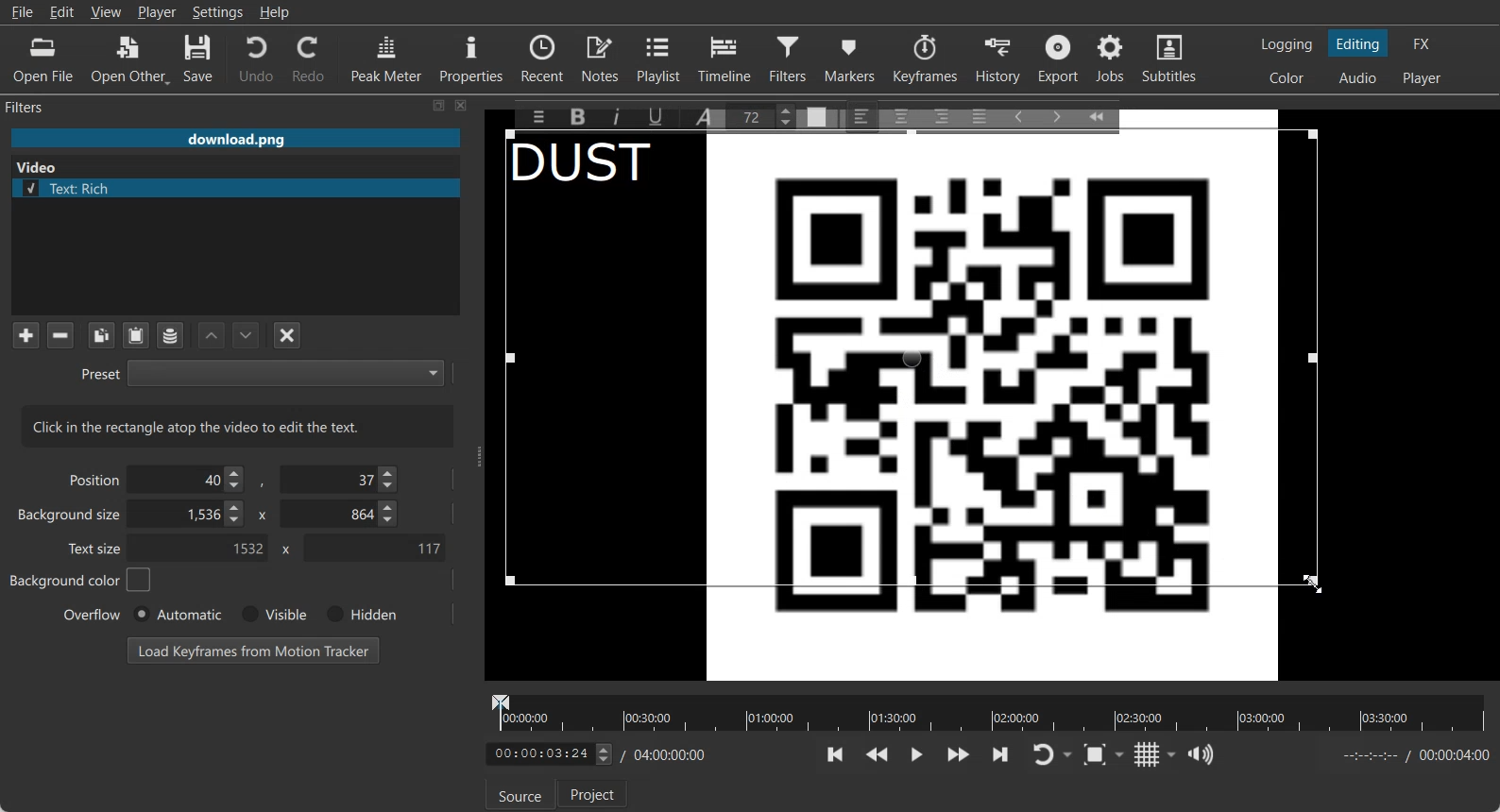 The height and width of the screenshot is (812, 1500). What do you see at coordinates (26, 334) in the screenshot?
I see `Add a filter` at bounding box center [26, 334].